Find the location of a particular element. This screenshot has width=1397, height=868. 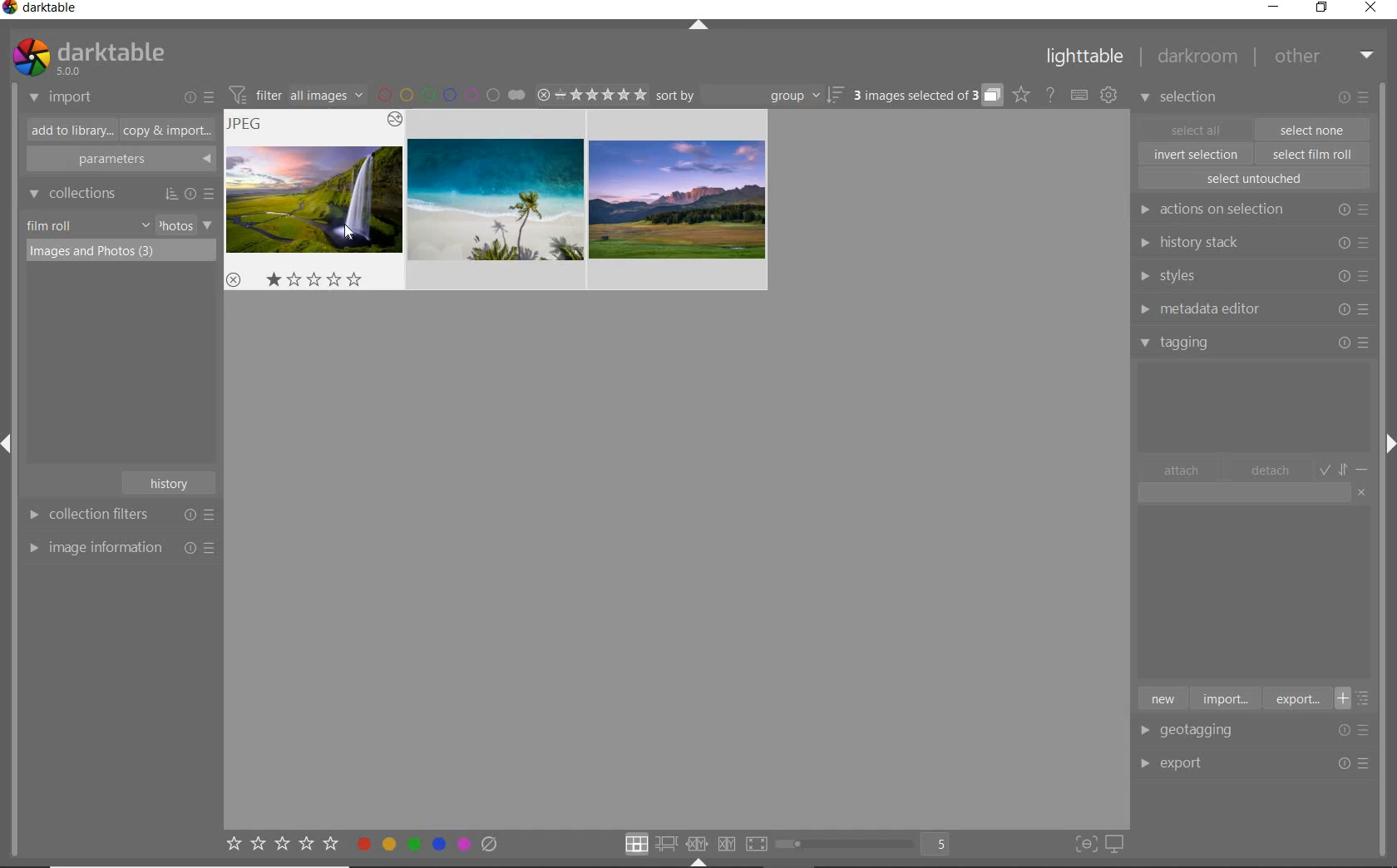

export is located at coordinates (1201, 762).